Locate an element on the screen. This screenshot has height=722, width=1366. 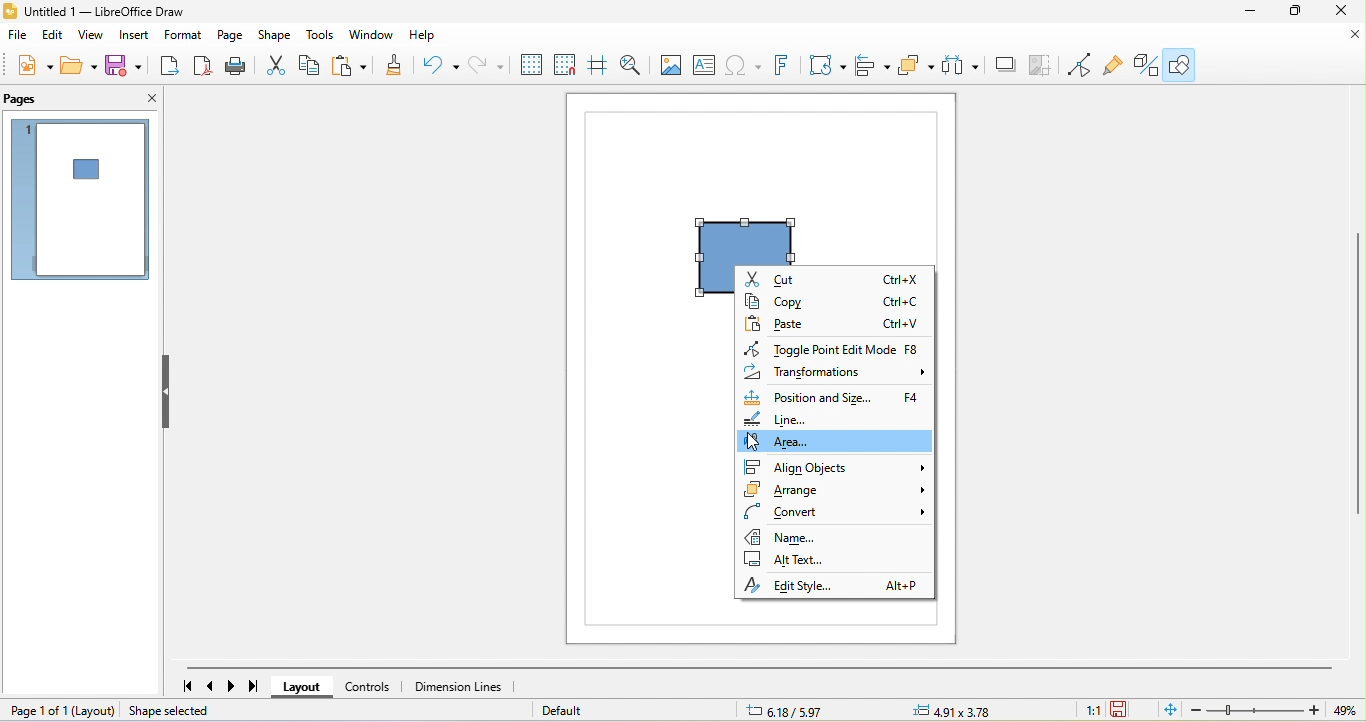
helpline while moving is located at coordinates (596, 66).